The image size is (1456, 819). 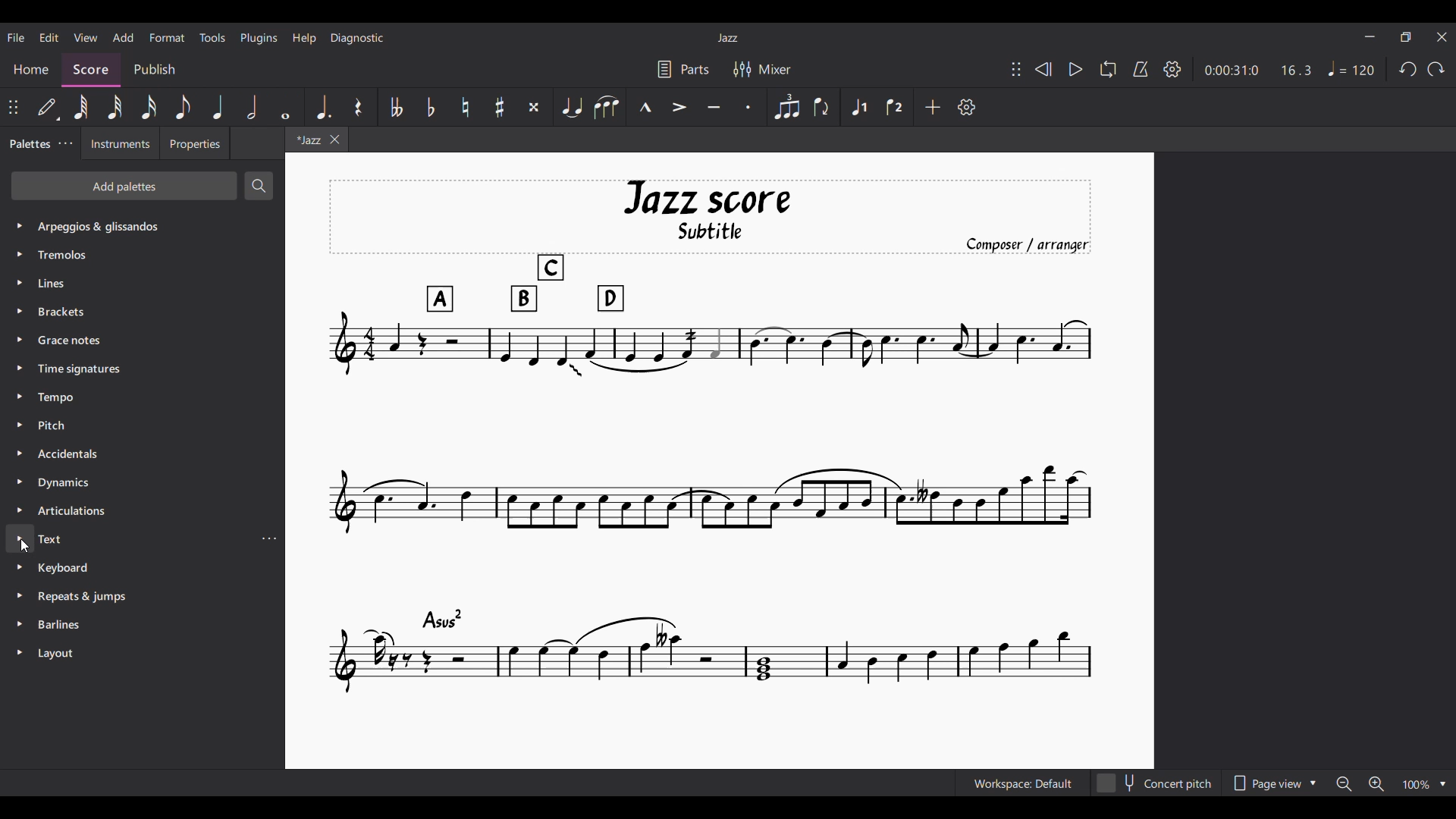 I want to click on Toggle flat, so click(x=431, y=107).